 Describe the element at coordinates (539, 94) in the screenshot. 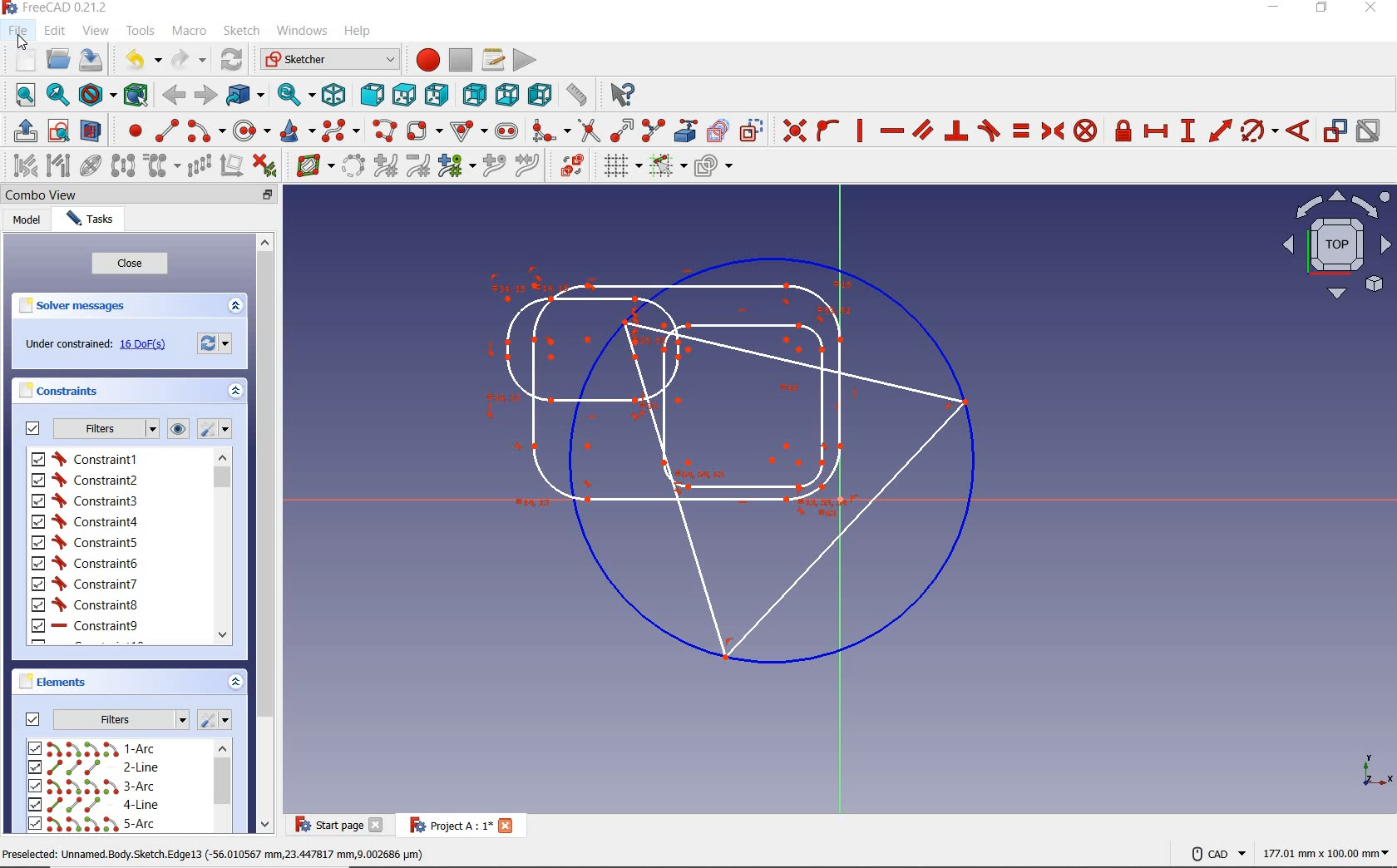

I see `left` at that location.